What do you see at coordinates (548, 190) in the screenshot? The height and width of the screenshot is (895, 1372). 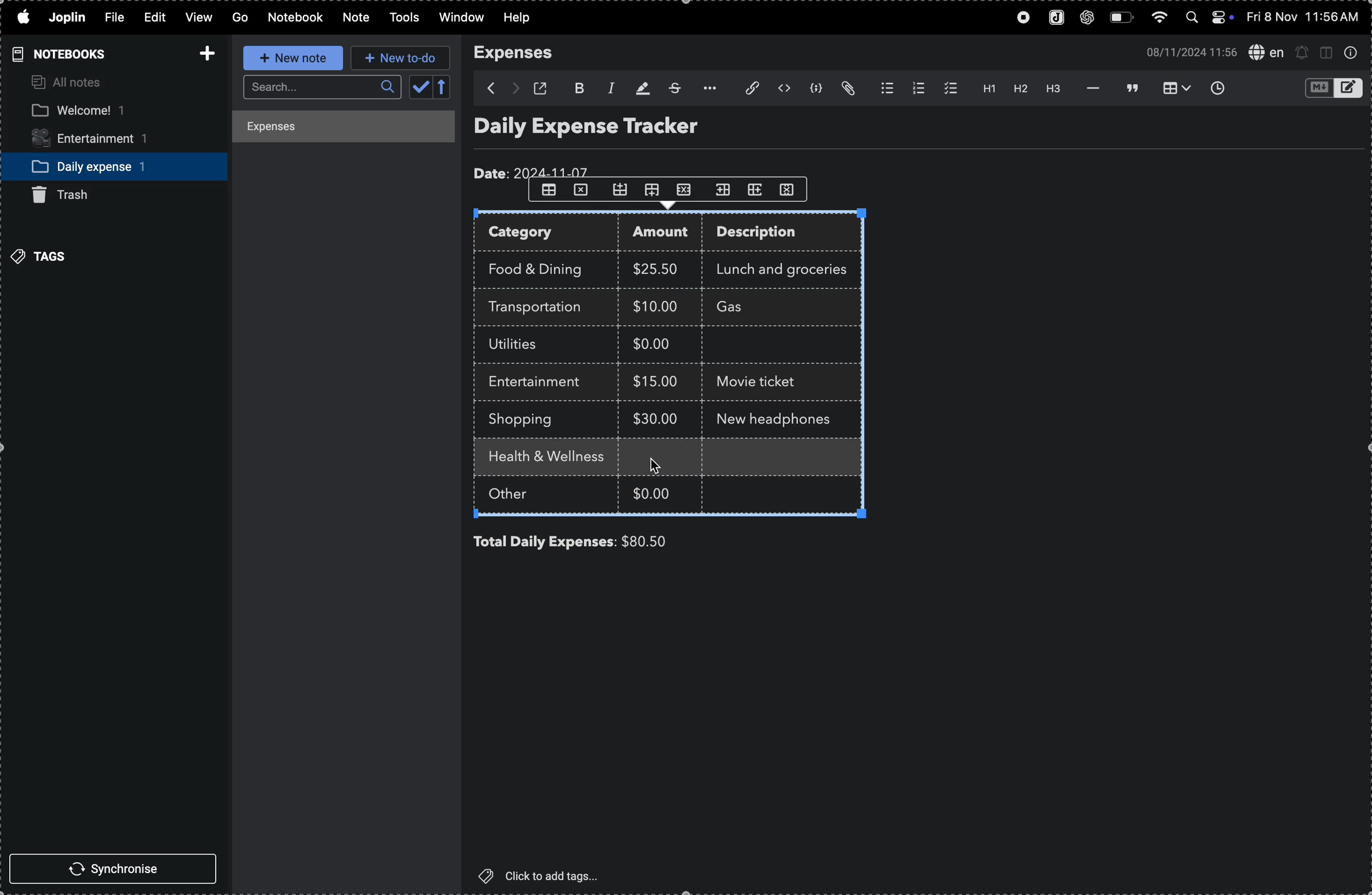 I see `table` at bounding box center [548, 190].